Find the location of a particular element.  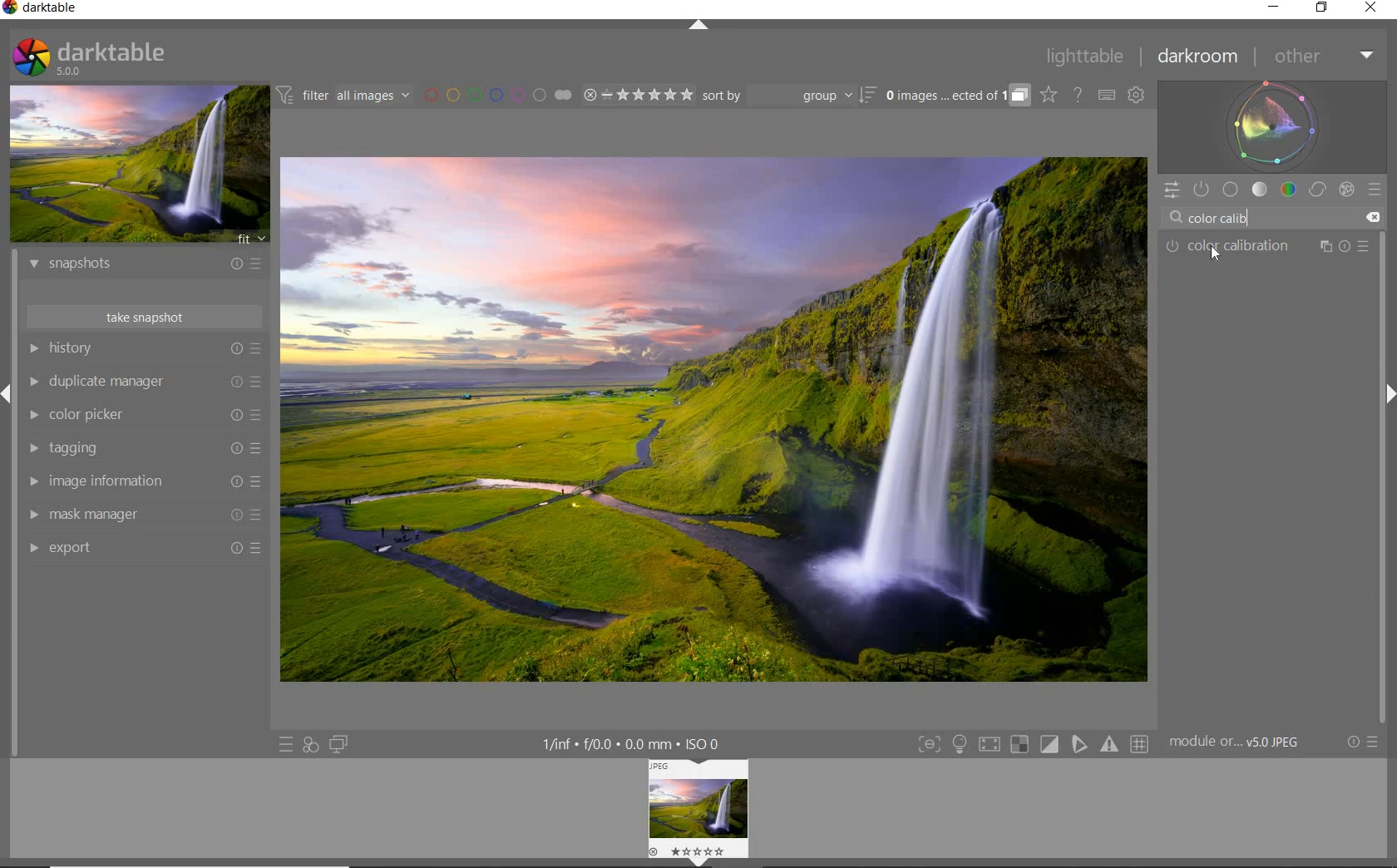

tone is located at coordinates (1260, 190).